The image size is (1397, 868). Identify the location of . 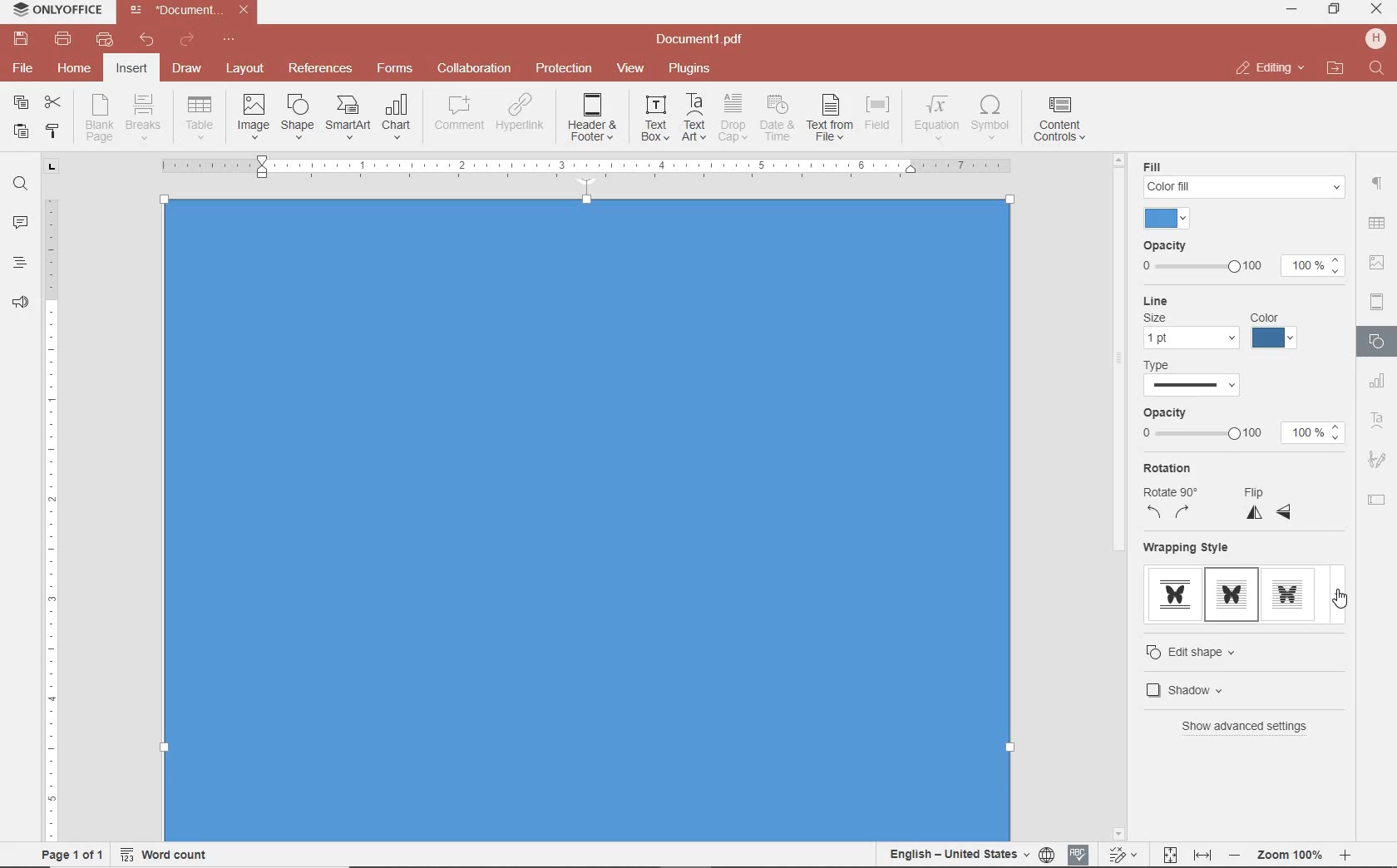
(585, 165).